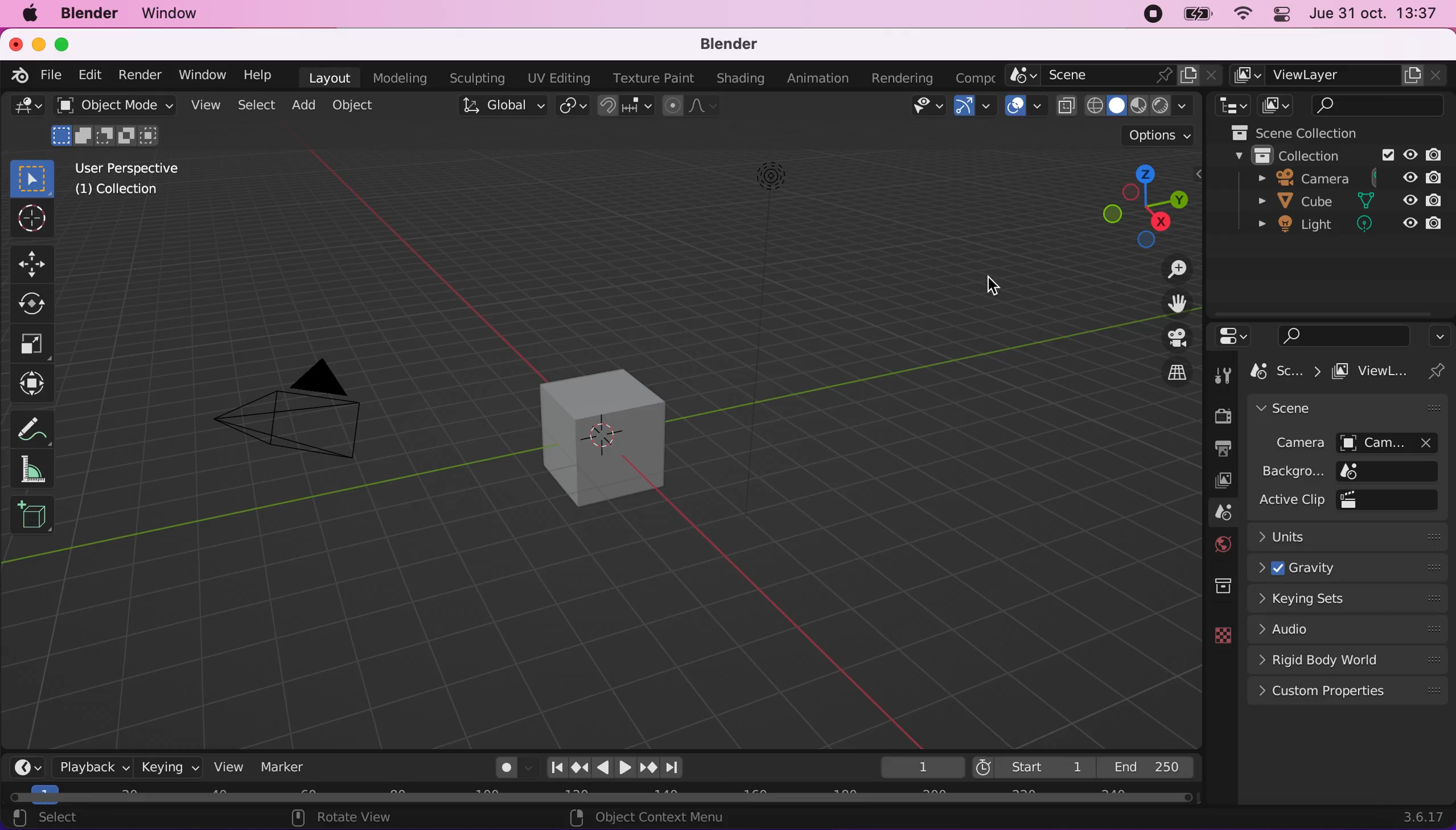 The image size is (1456, 830). What do you see at coordinates (906, 76) in the screenshot?
I see `rendering` at bounding box center [906, 76].